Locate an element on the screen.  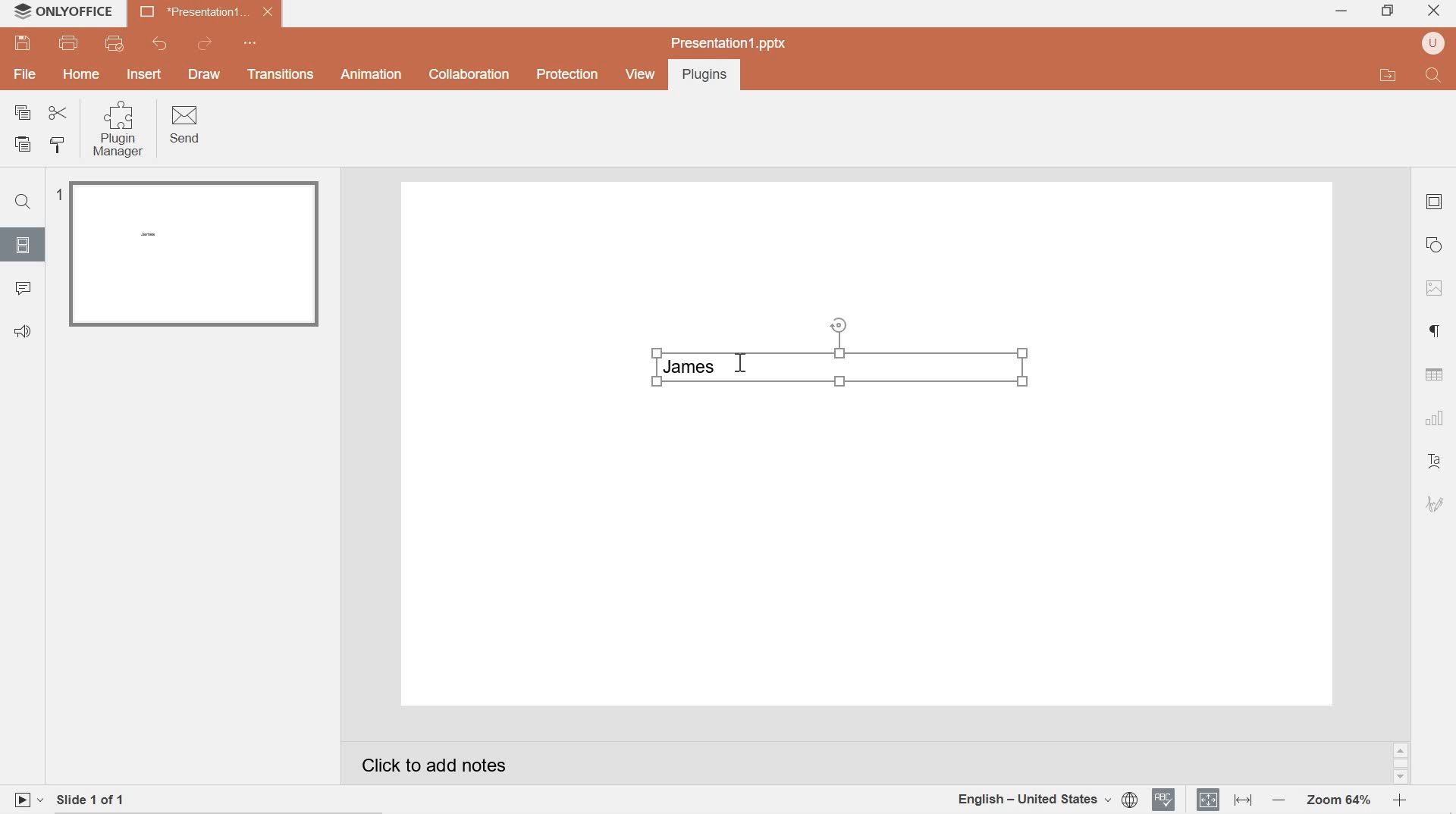
cut is located at coordinates (58, 112).